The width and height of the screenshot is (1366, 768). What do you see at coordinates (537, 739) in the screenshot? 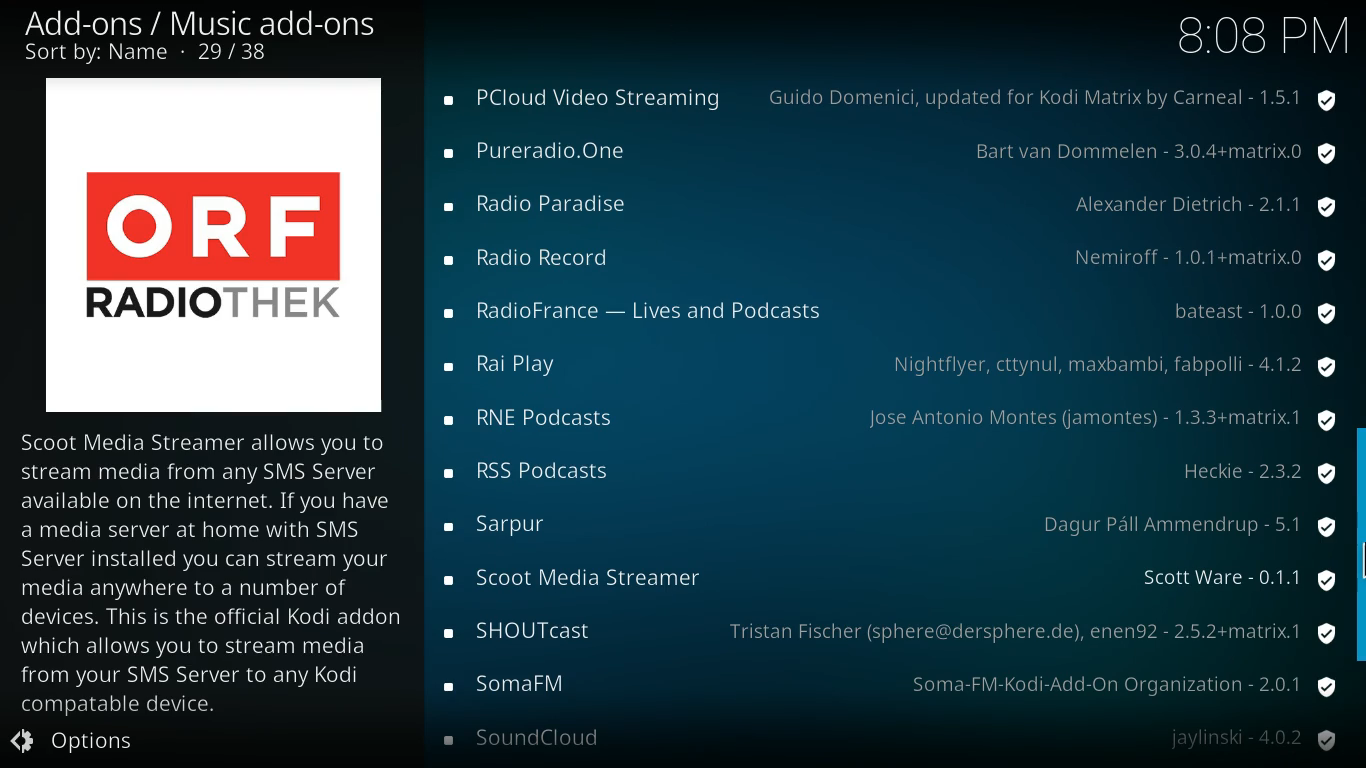
I see `add-on` at bounding box center [537, 739].